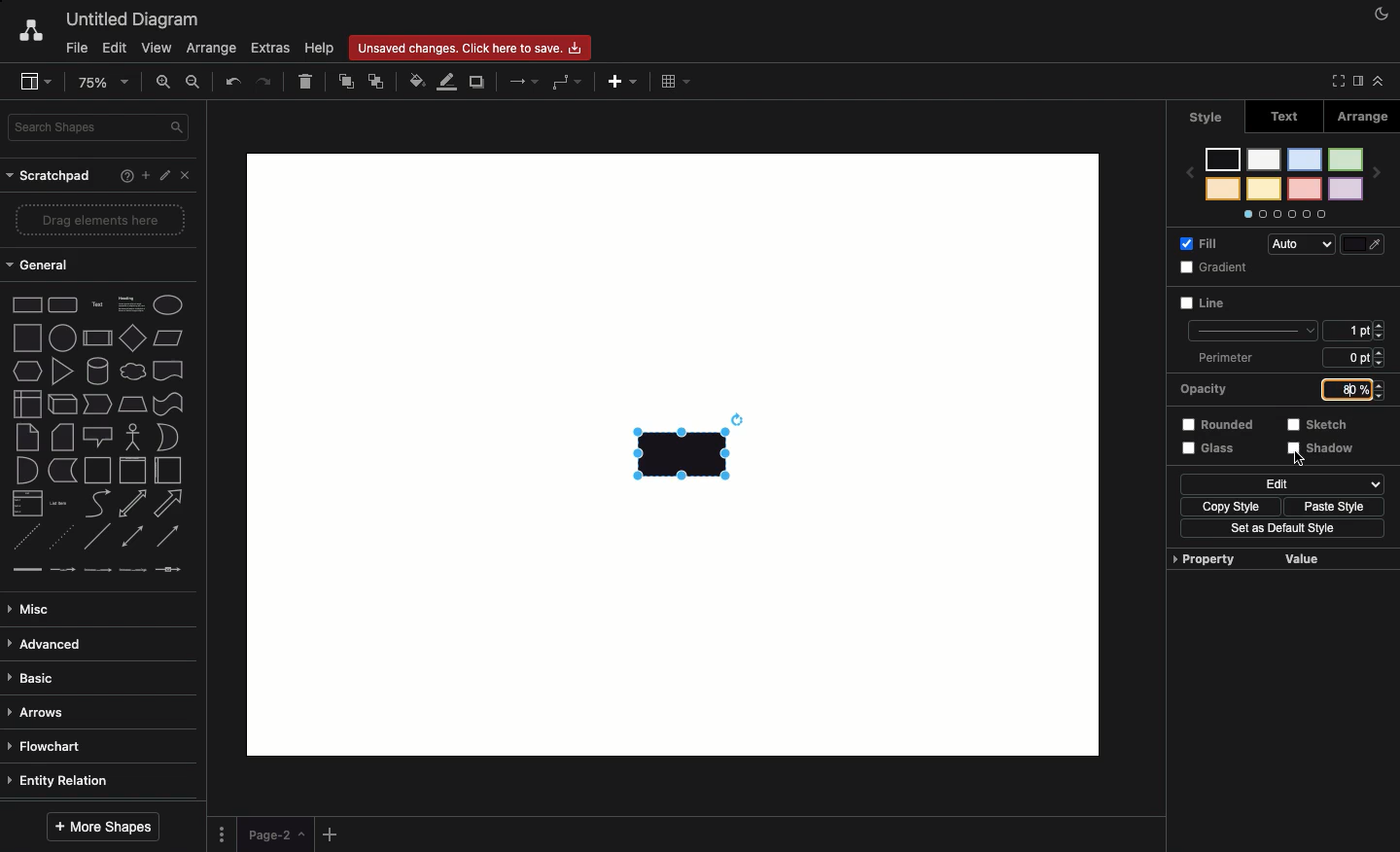  What do you see at coordinates (1263, 190) in the screenshot?
I see `color 6` at bounding box center [1263, 190].